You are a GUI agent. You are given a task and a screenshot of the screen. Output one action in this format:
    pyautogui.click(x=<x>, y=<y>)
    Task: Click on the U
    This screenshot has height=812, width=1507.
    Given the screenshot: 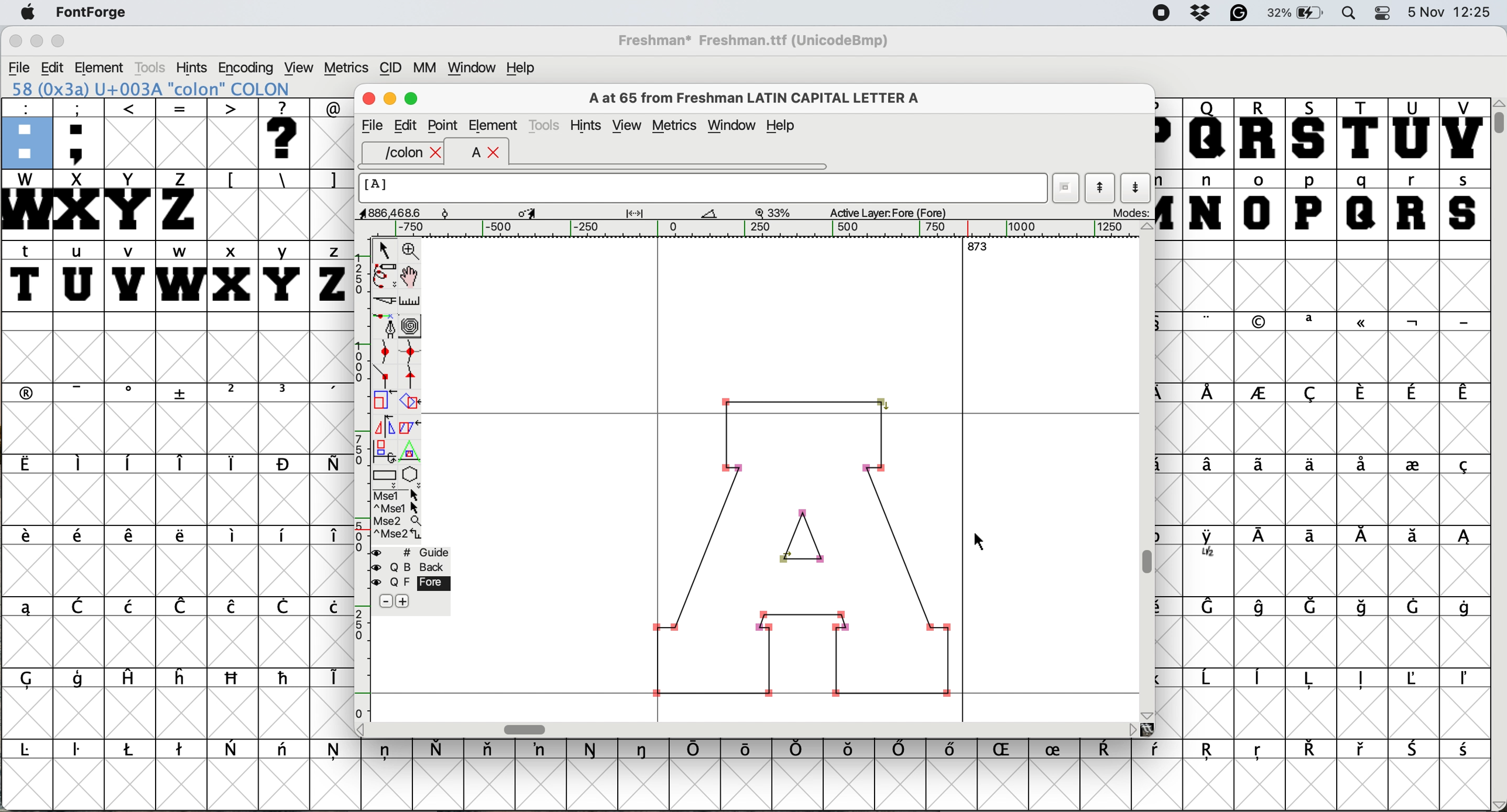 What is the action you would take?
    pyautogui.click(x=1412, y=133)
    